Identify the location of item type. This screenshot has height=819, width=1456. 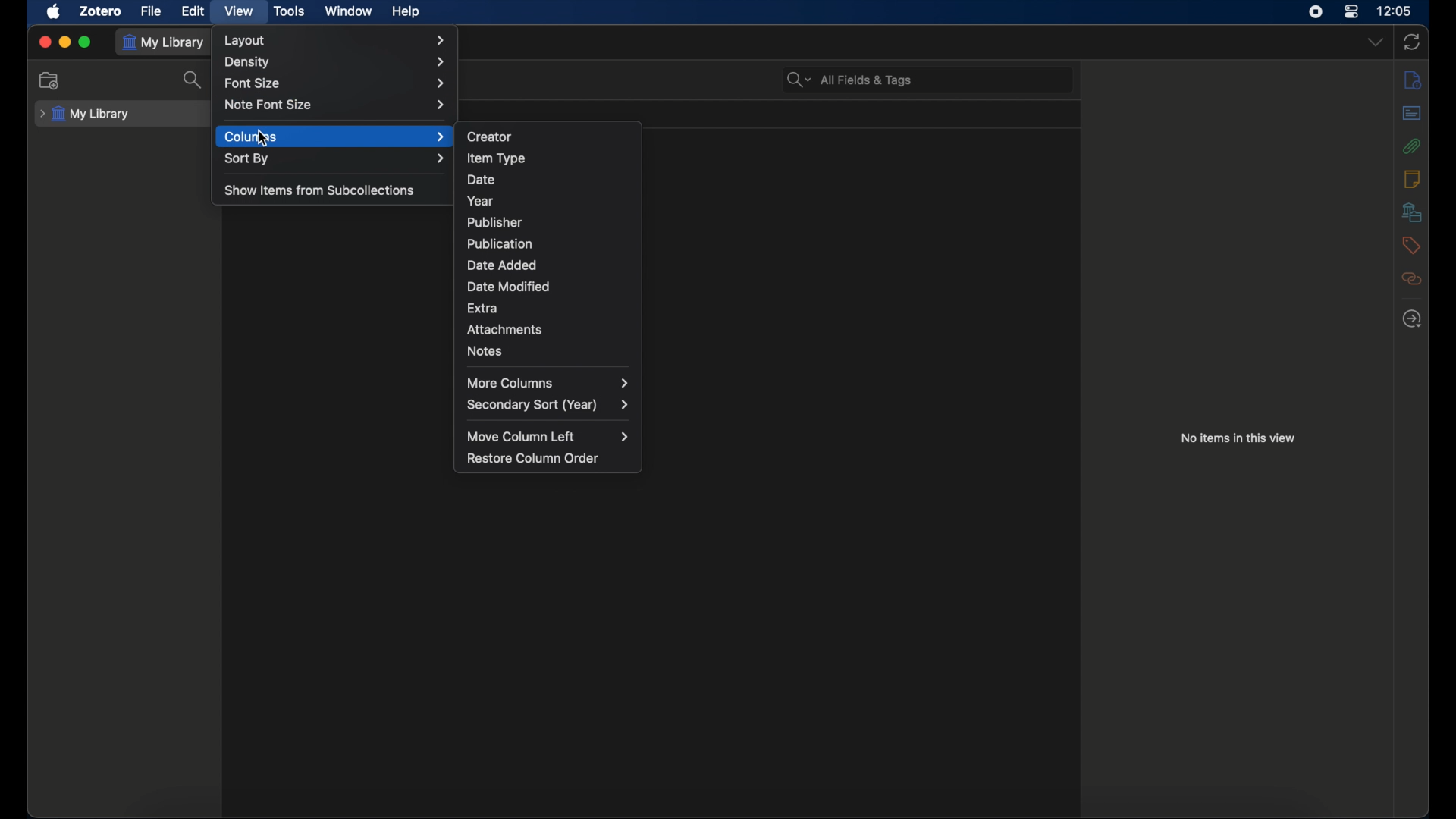
(496, 158).